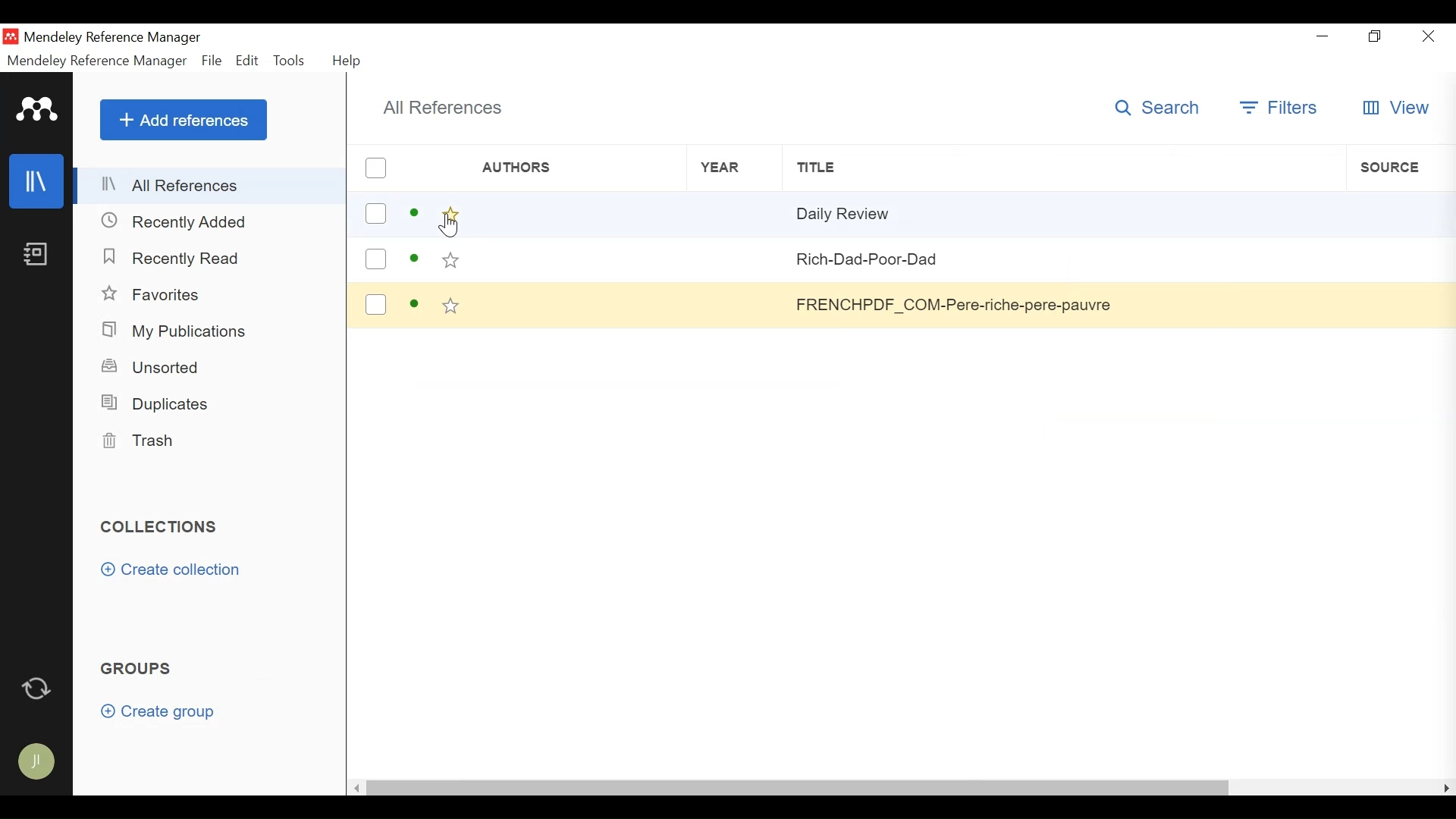 This screenshot has height=819, width=1456. What do you see at coordinates (157, 711) in the screenshot?
I see `Create group` at bounding box center [157, 711].